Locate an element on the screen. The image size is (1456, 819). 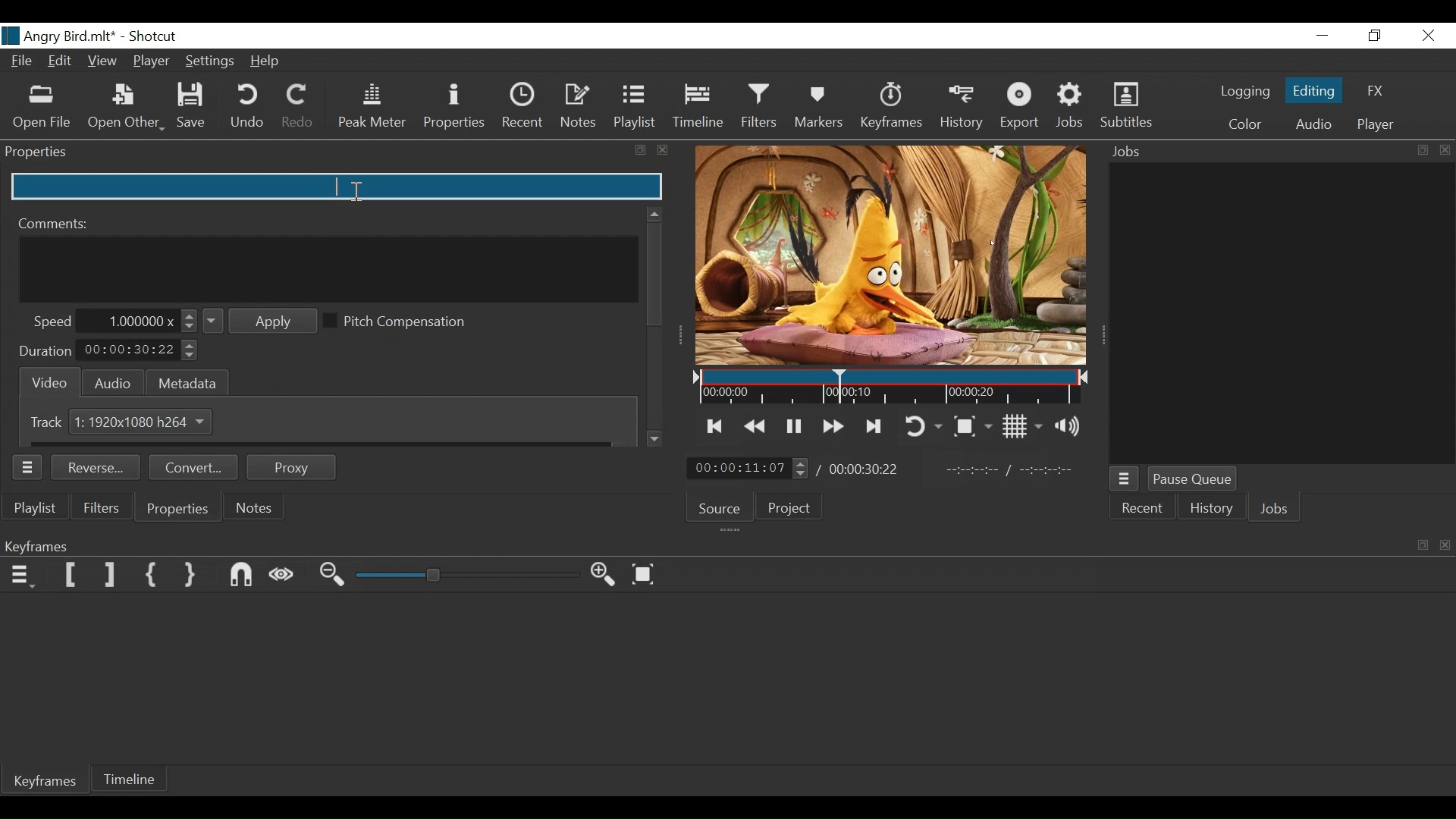
Current position is located at coordinates (748, 468).